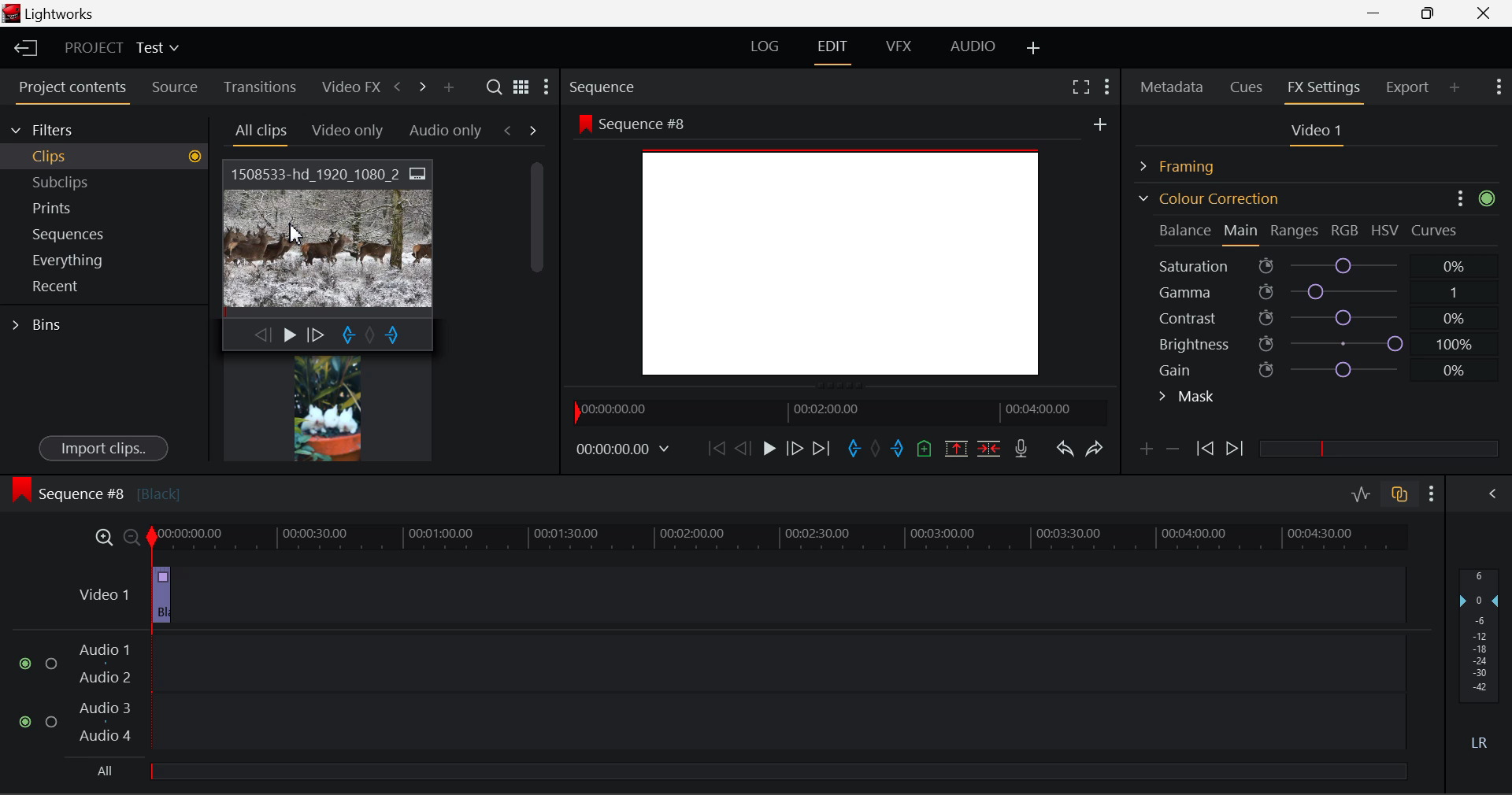  Describe the element at coordinates (1314, 263) in the screenshot. I see `Saturation` at that location.